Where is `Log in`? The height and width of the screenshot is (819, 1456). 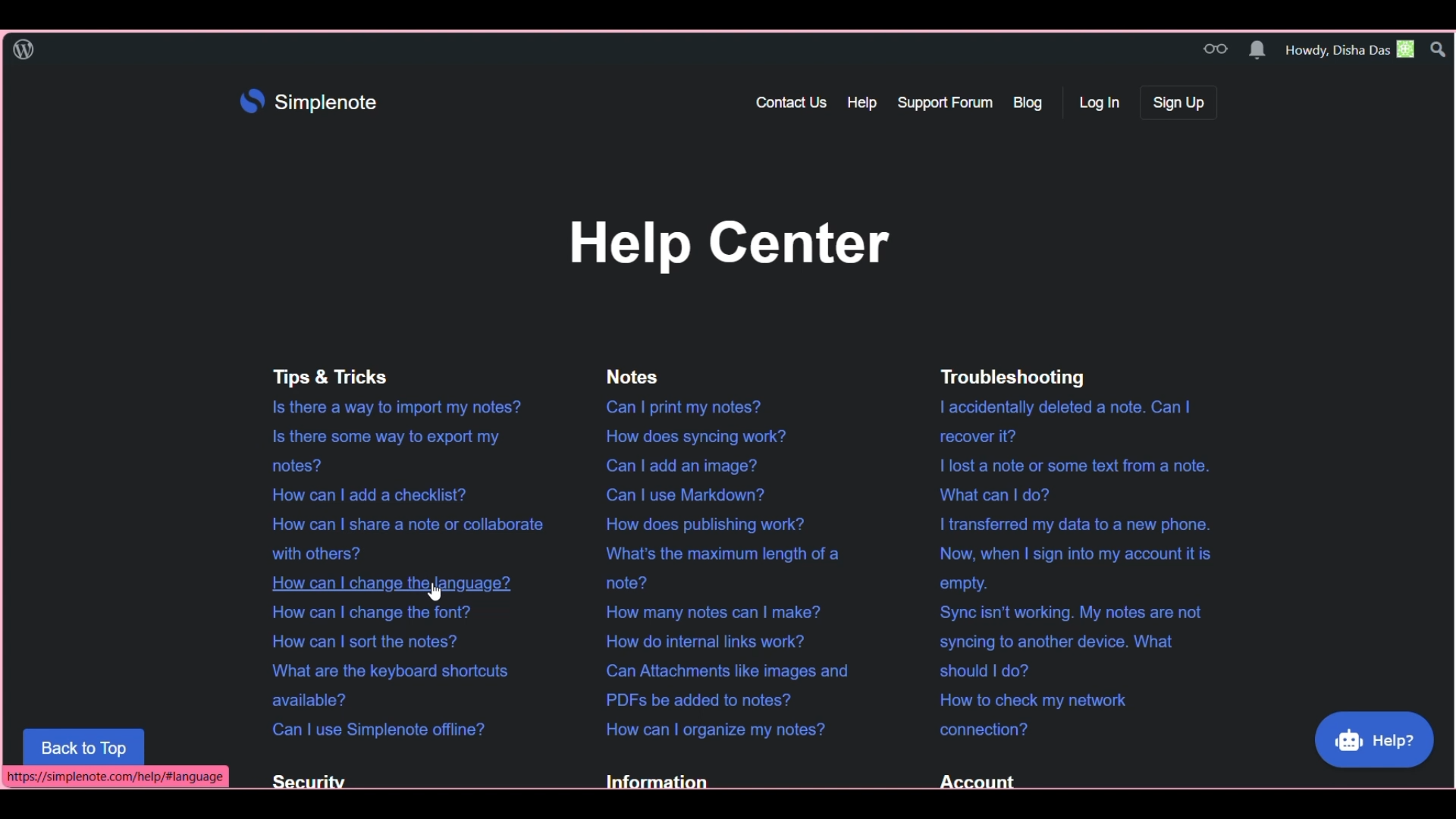
Log in is located at coordinates (1101, 102).